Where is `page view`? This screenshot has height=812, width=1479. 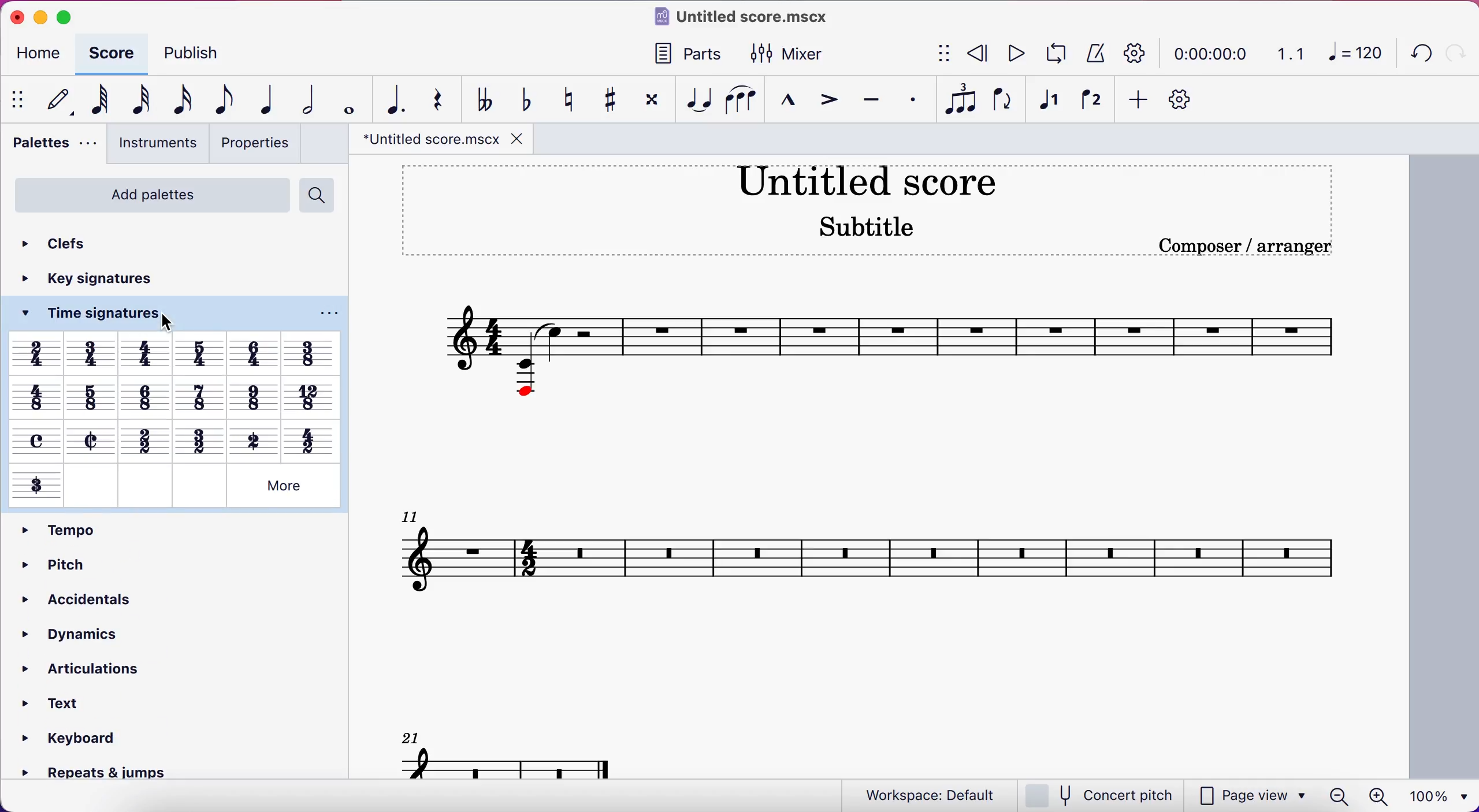
page view is located at coordinates (1244, 795).